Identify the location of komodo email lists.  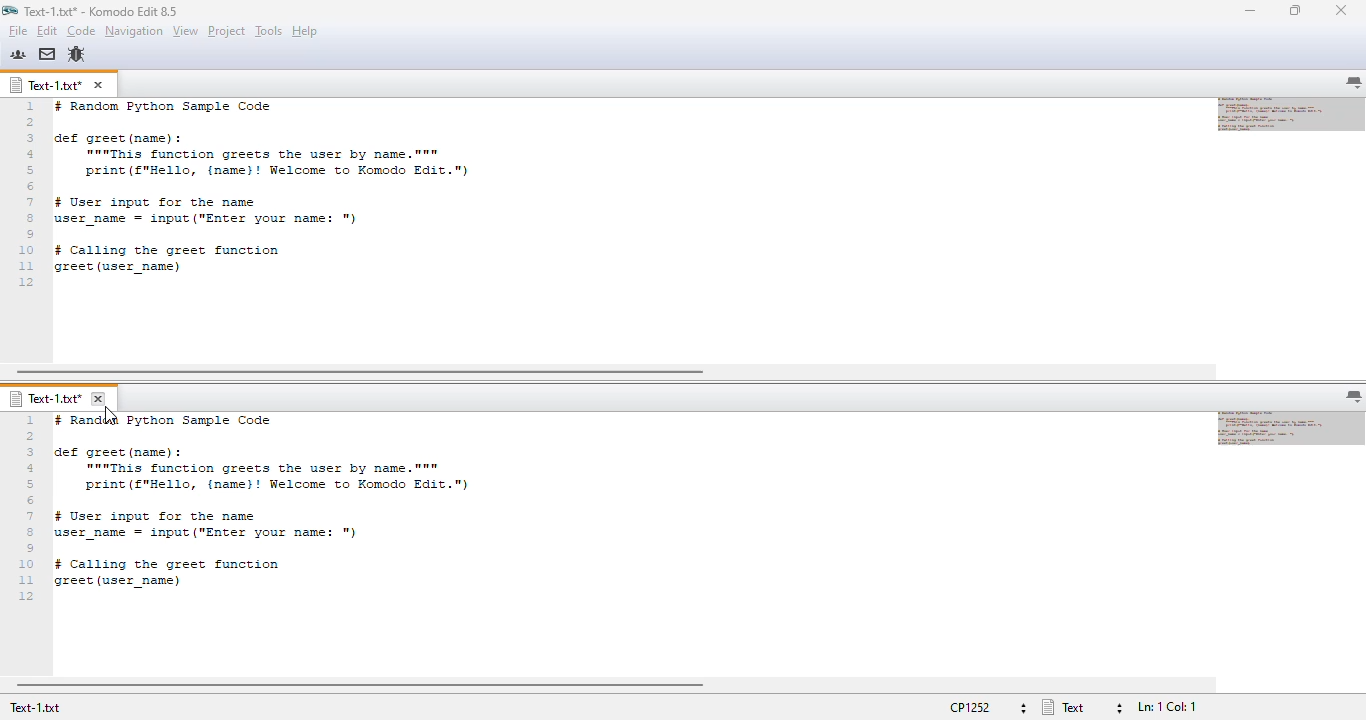
(48, 55).